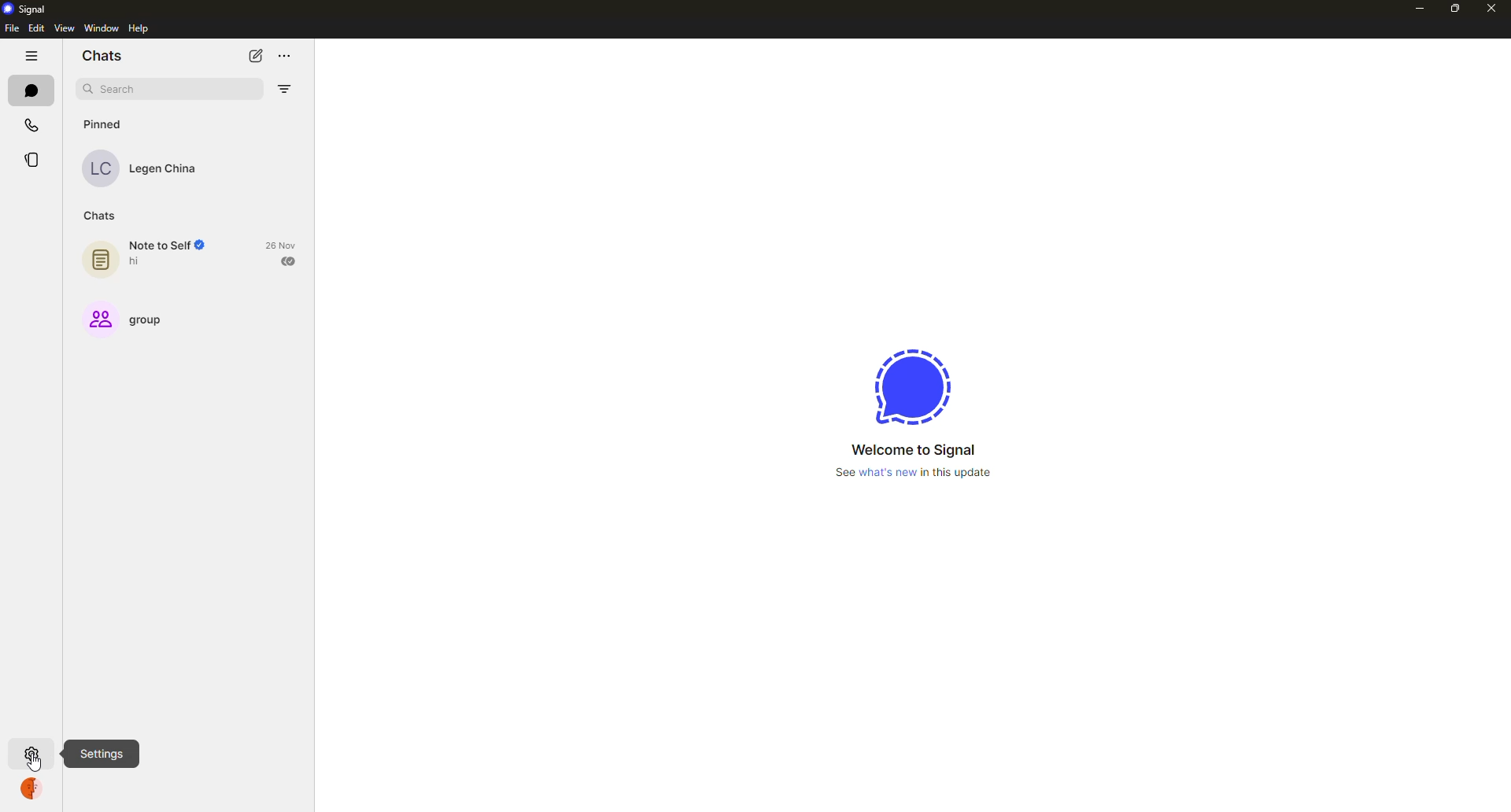  What do you see at coordinates (151, 168) in the screenshot?
I see `contact` at bounding box center [151, 168].